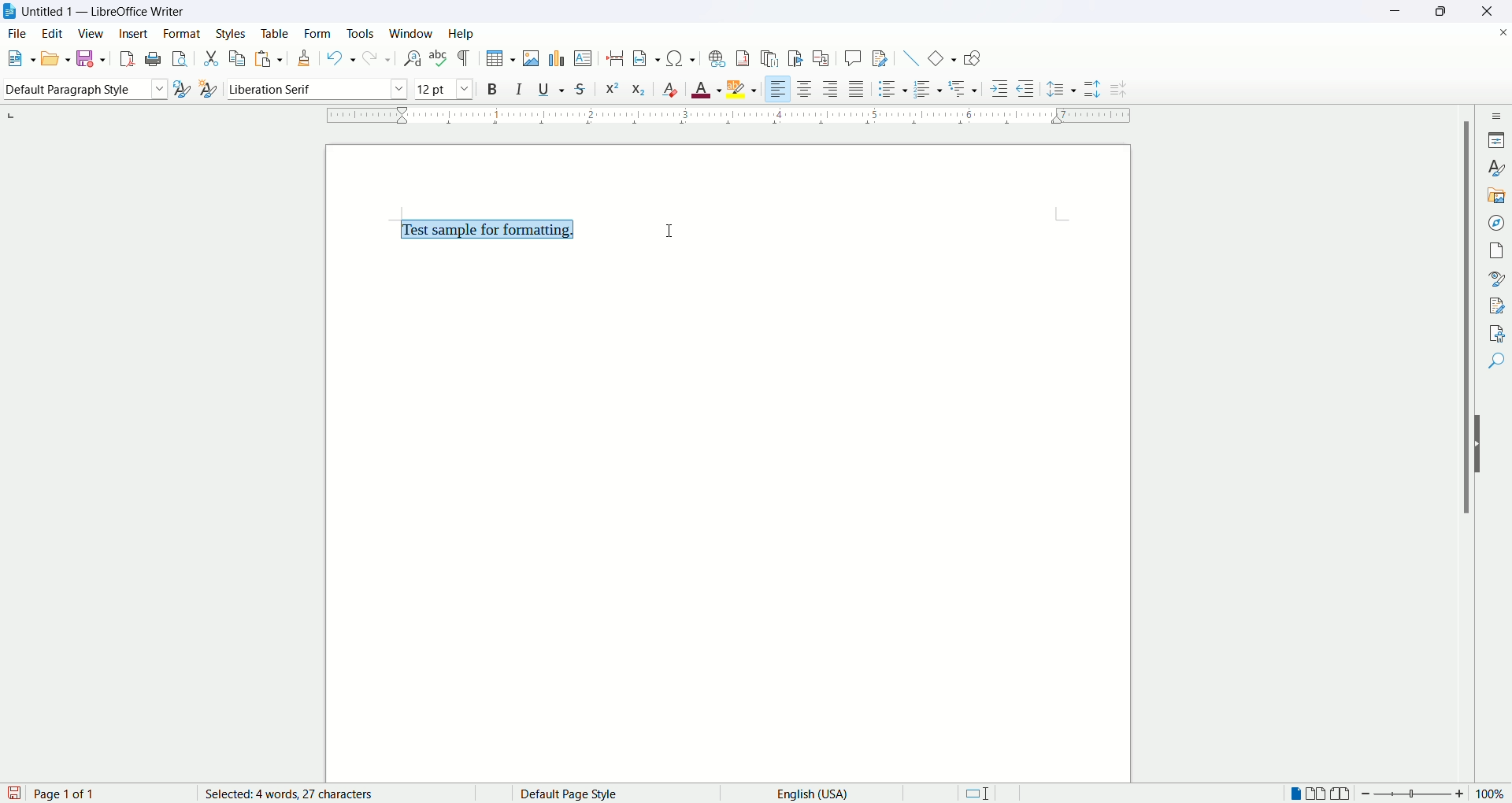 This screenshot has height=803, width=1512. What do you see at coordinates (820, 793) in the screenshot?
I see `language` at bounding box center [820, 793].